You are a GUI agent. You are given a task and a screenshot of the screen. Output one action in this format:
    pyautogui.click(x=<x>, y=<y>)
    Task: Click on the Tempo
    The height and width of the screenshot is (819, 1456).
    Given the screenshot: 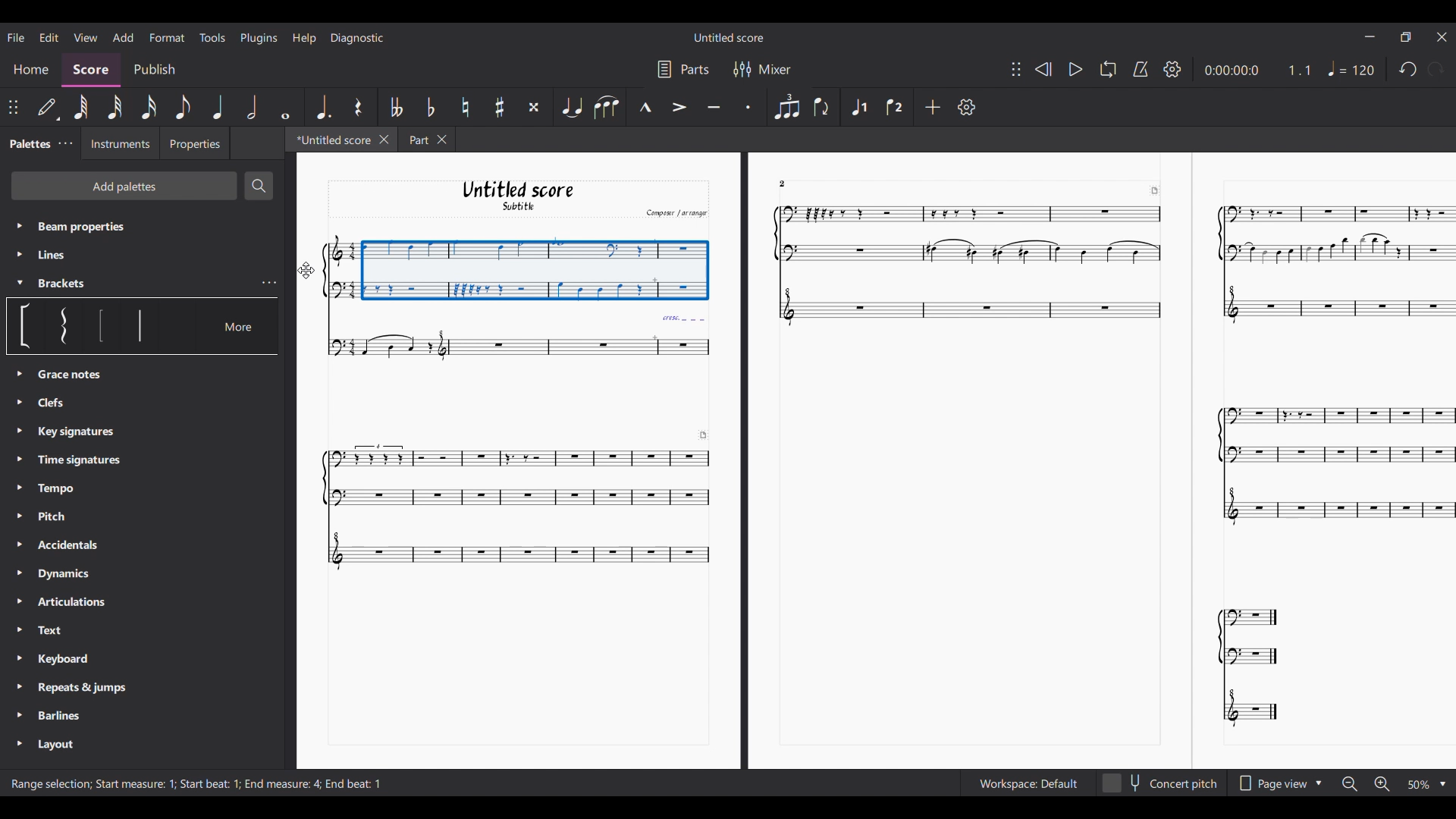 What is the action you would take?
    pyautogui.click(x=61, y=488)
    